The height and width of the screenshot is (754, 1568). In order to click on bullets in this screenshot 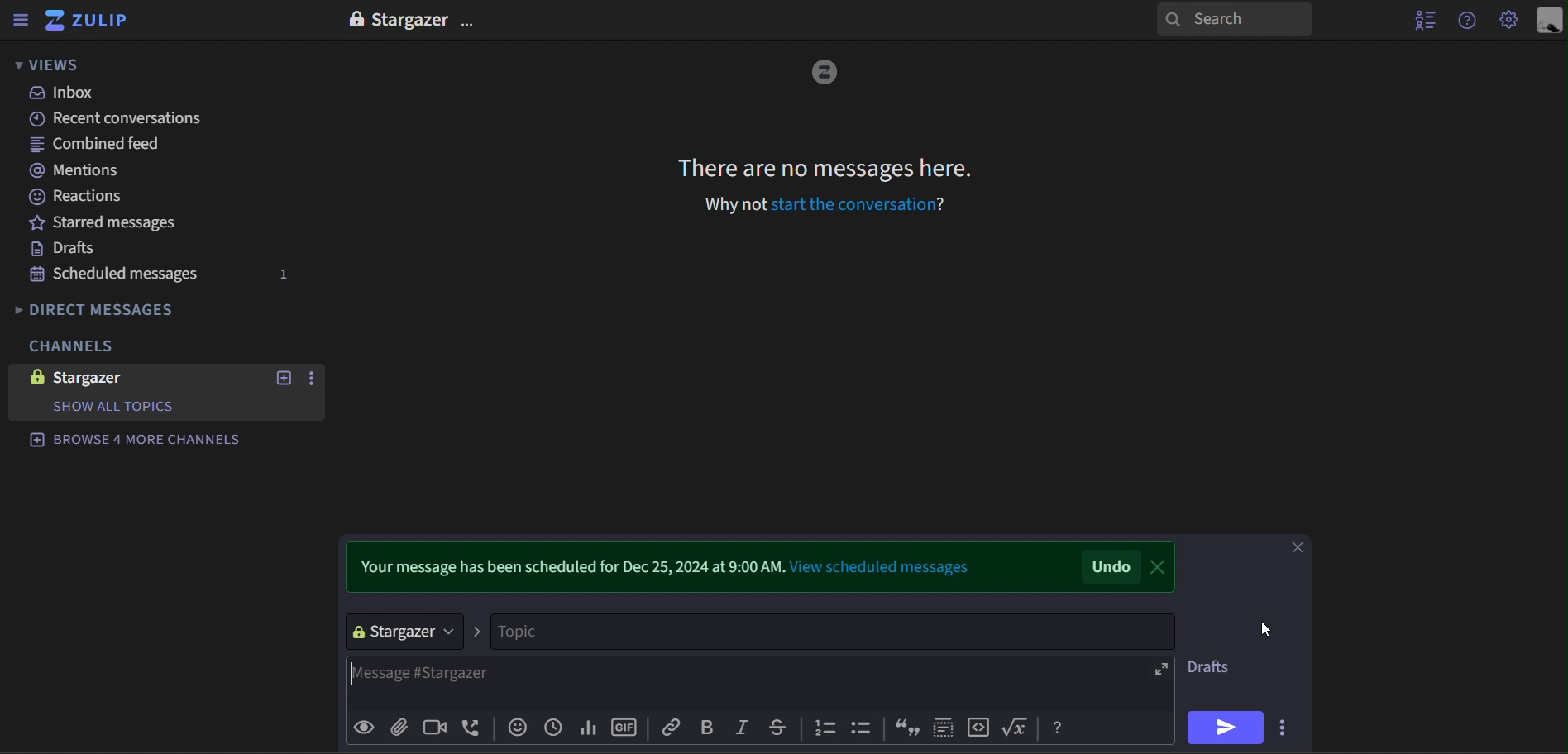, I will do `click(864, 729)`.